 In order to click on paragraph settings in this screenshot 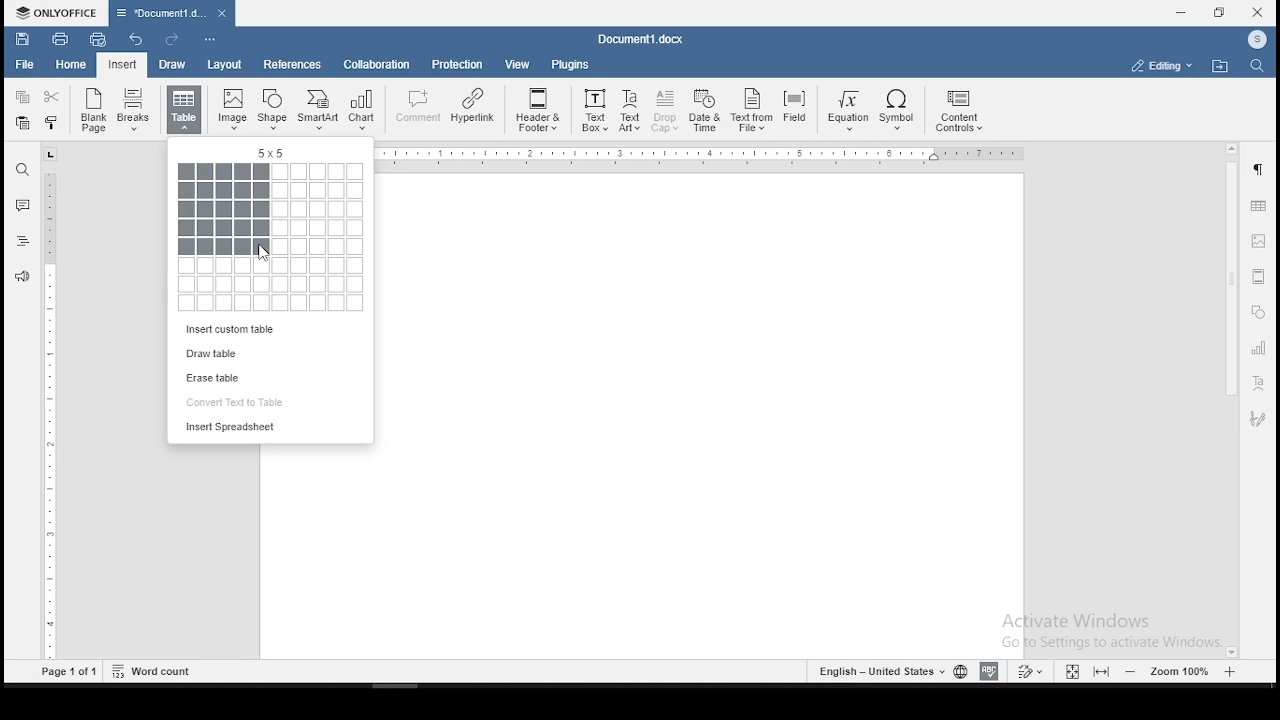, I will do `click(1261, 170)`.